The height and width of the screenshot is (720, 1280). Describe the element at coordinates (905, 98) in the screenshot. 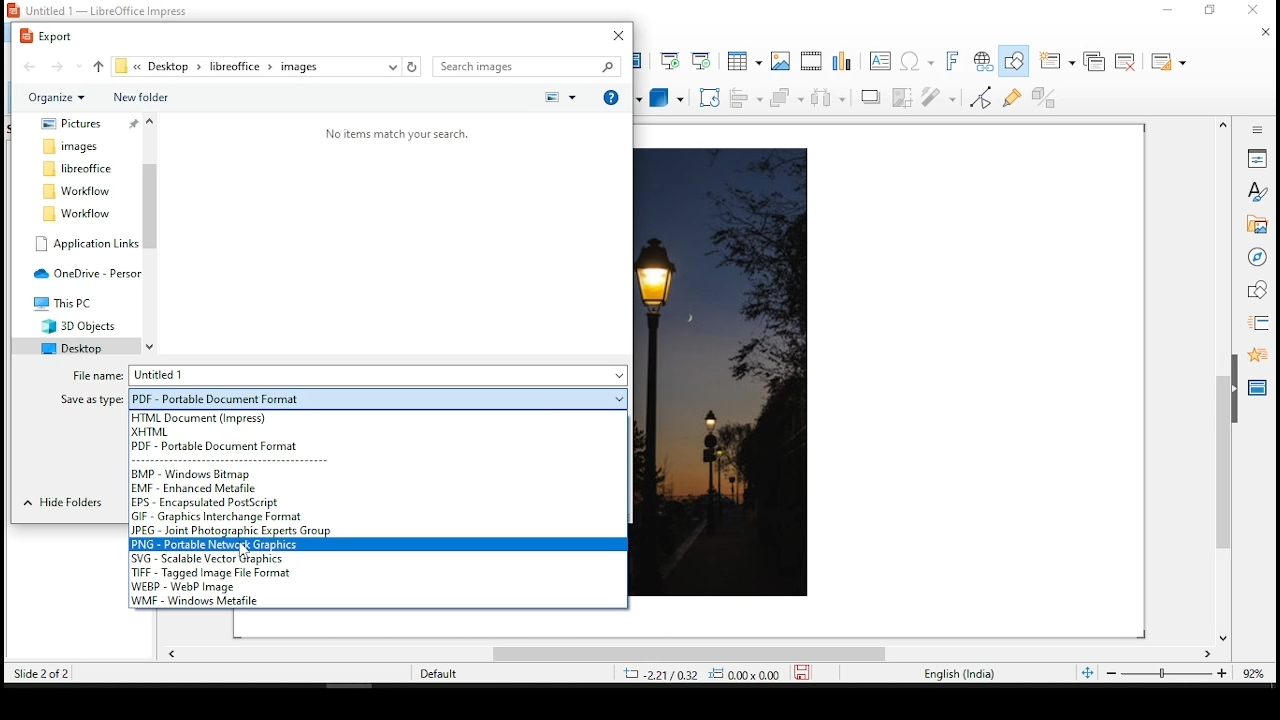

I see `crop image` at that location.